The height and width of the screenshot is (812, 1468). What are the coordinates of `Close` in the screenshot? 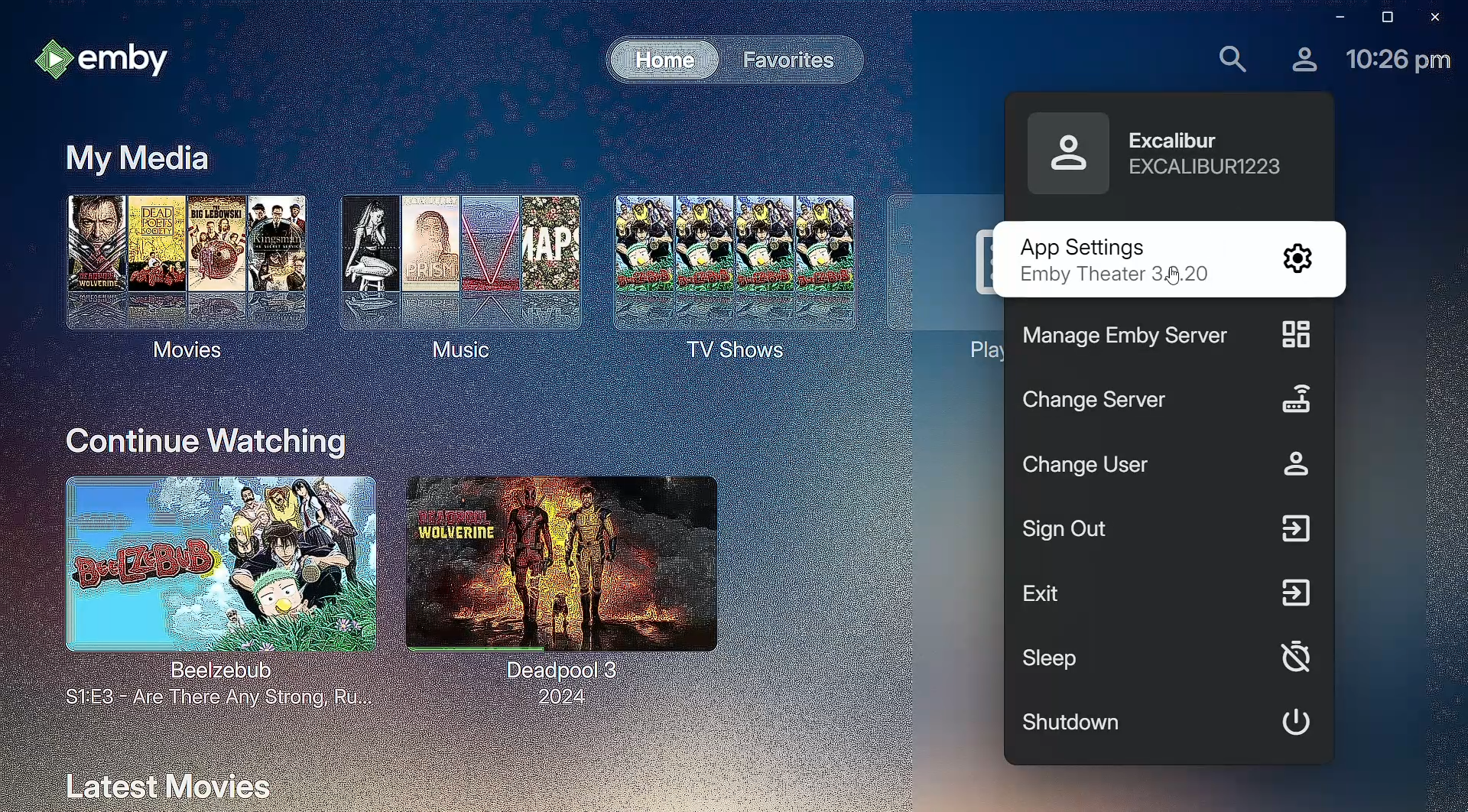 It's located at (1438, 18).